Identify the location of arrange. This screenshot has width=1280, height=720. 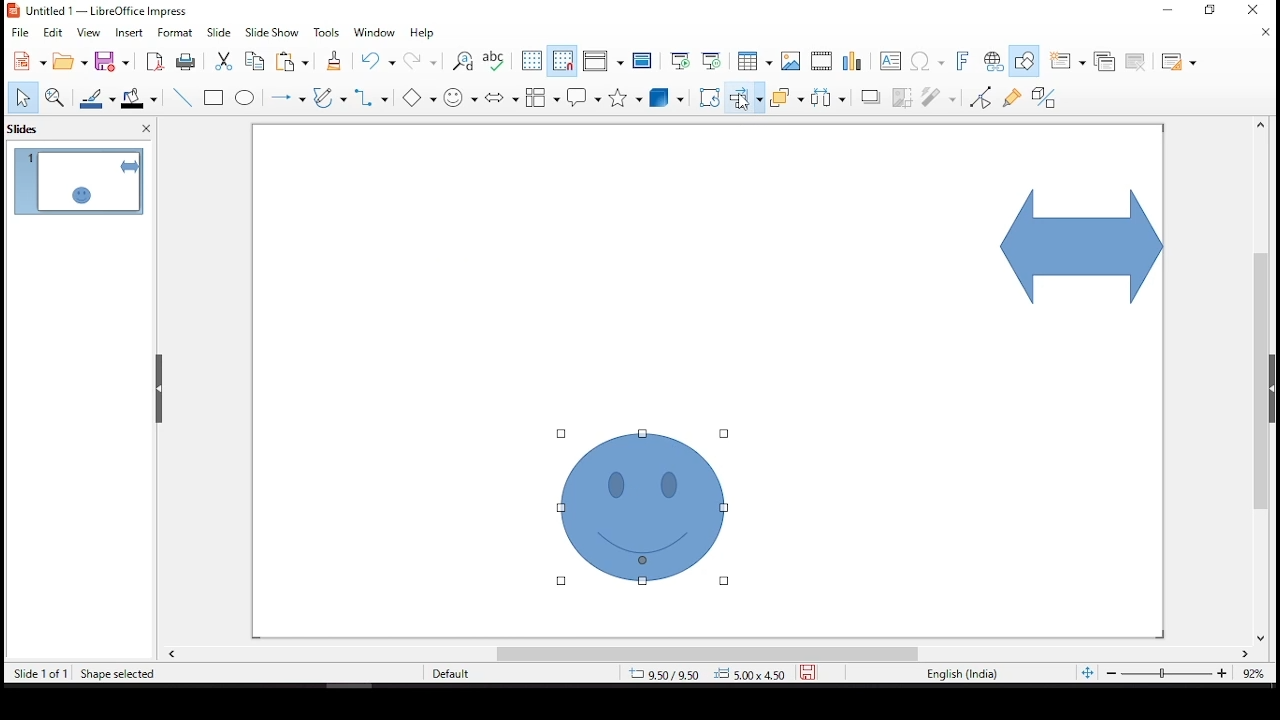
(785, 97).